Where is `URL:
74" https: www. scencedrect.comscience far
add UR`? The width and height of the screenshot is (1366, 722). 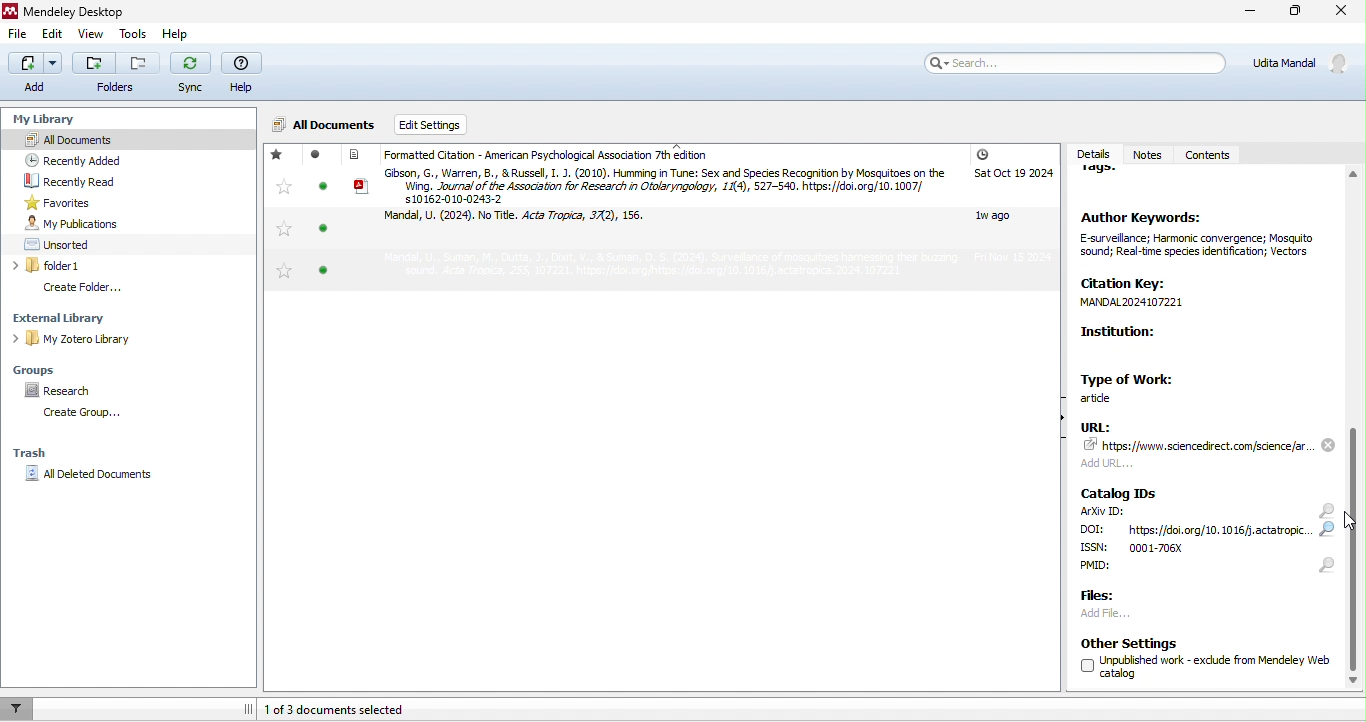
URL:
74" https: www. scencedrect.comscience far
add UR is located at coordinates (1206, 445).